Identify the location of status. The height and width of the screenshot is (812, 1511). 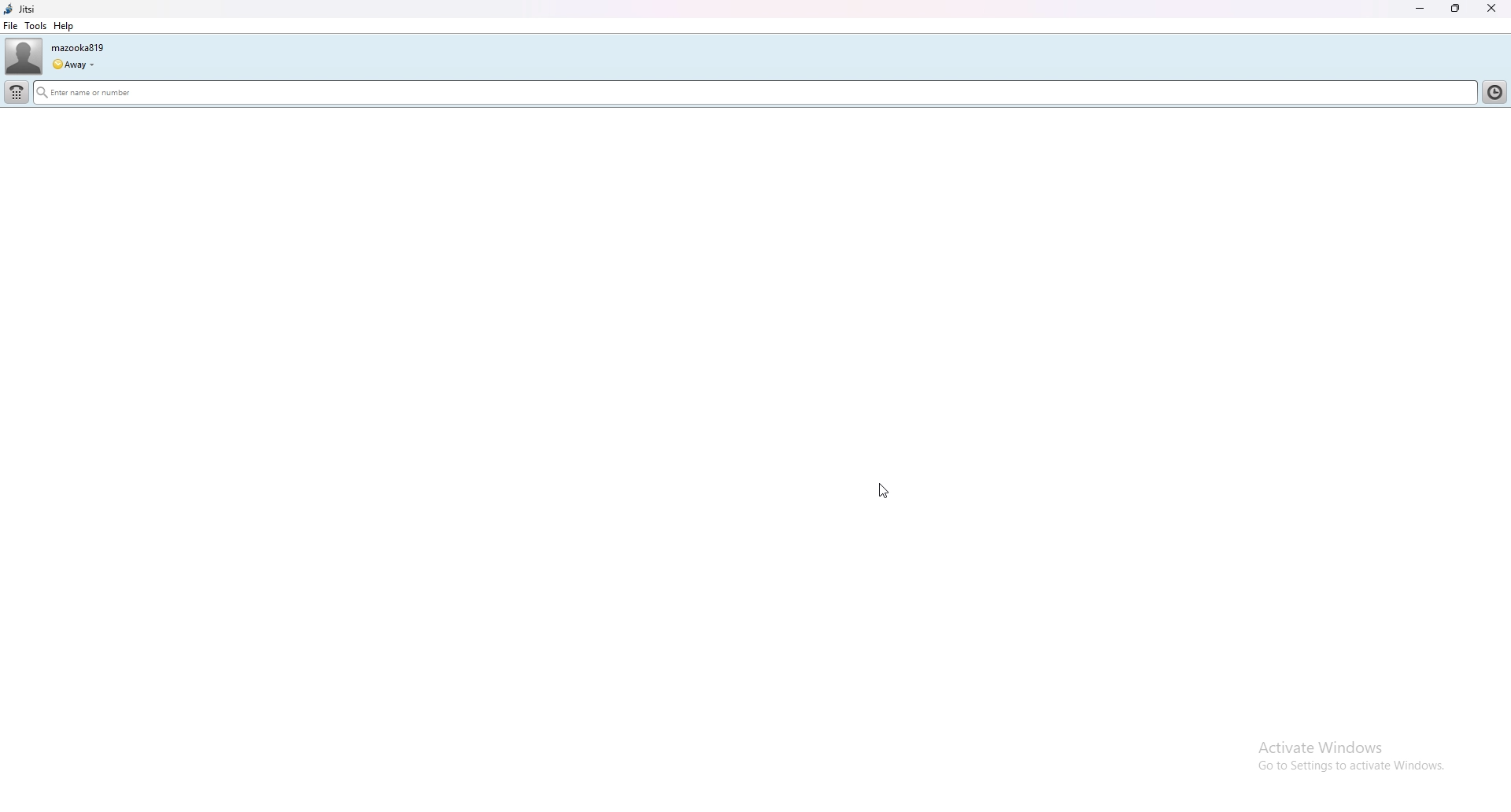
(72, 65).